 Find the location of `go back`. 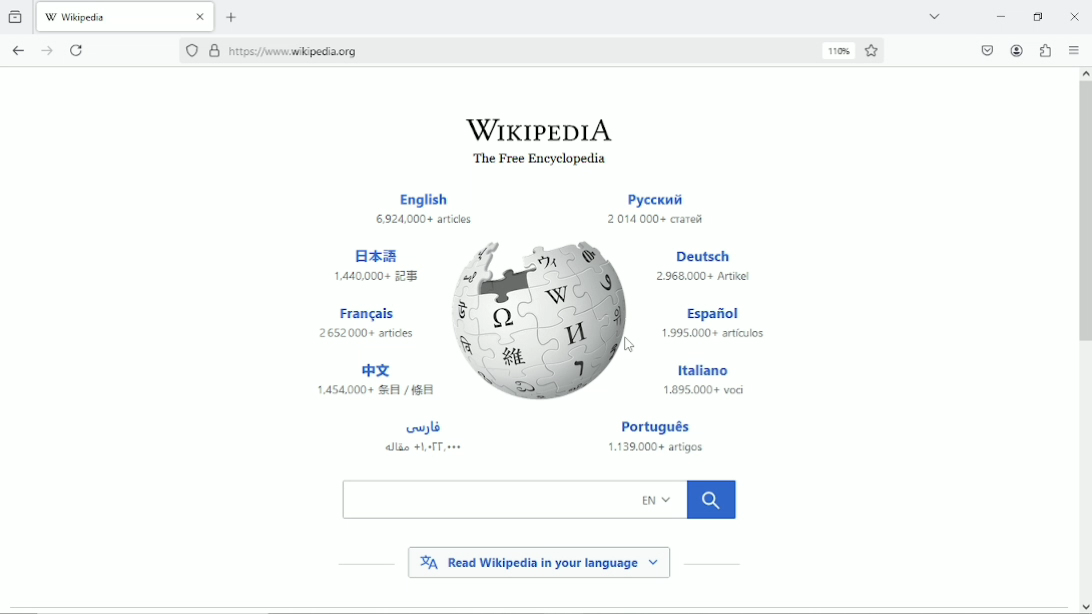

go back is located at coordinates (18, 48).